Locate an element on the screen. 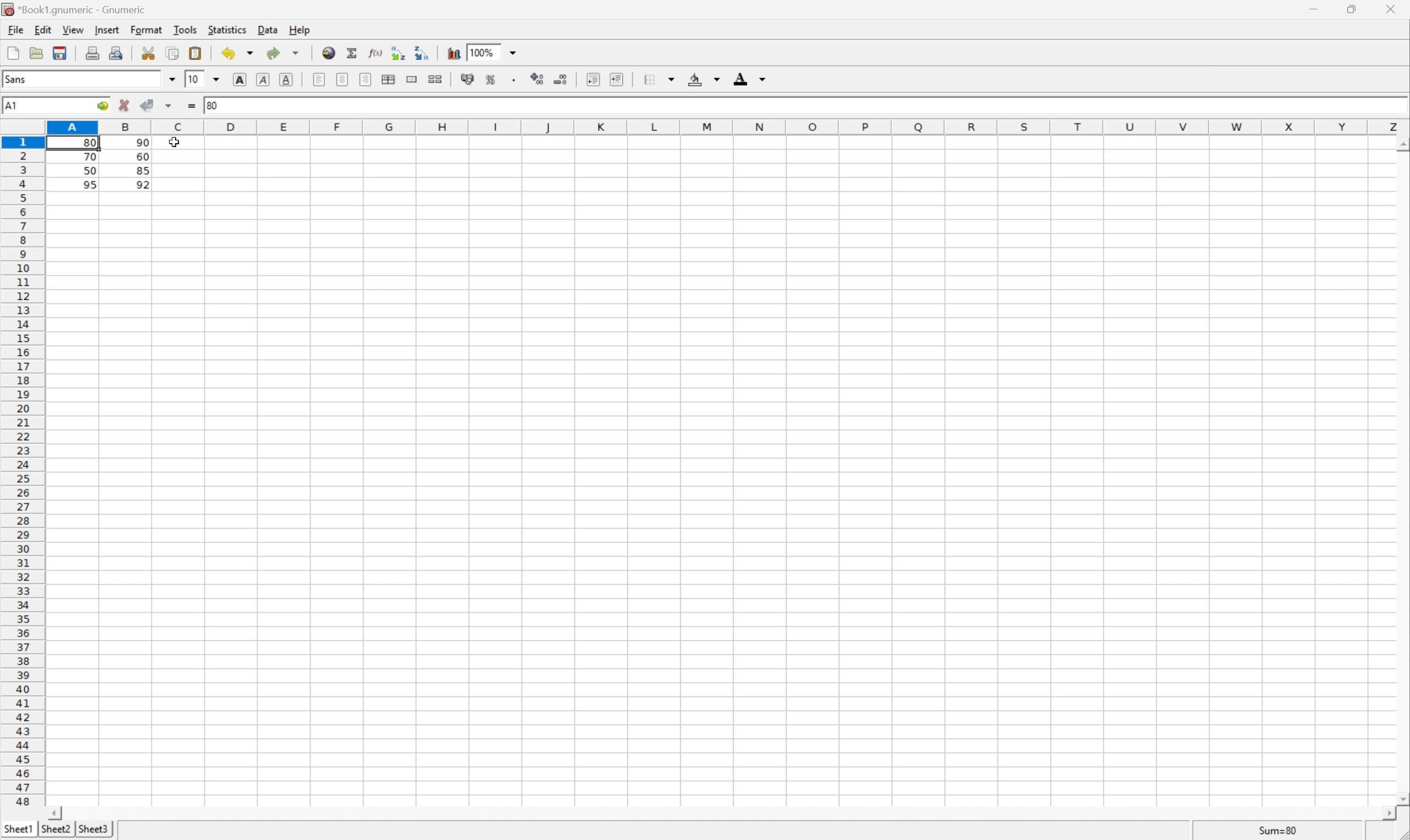  Help is located at coordinates (300, 31).